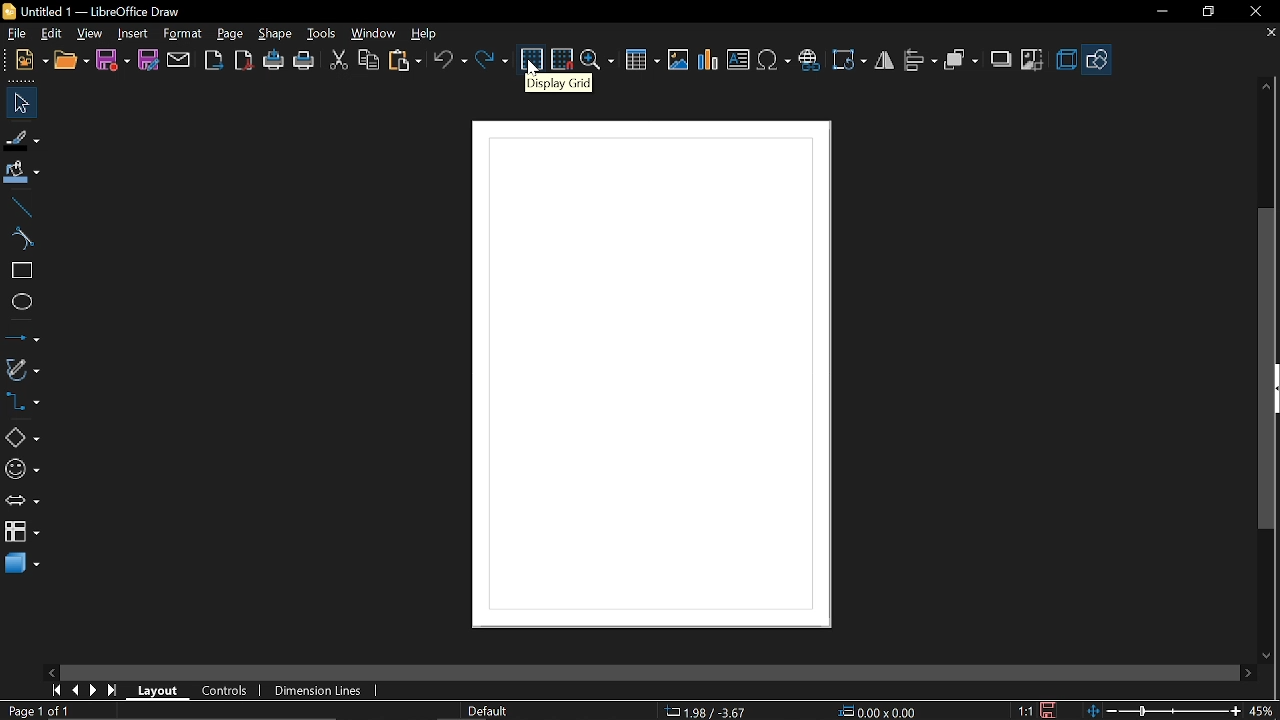 This screenshot has height=720, width=1280. What do you see at coordinates (149, 61) in the screenshot?
I see `save as` at bounding box center [149, 61].